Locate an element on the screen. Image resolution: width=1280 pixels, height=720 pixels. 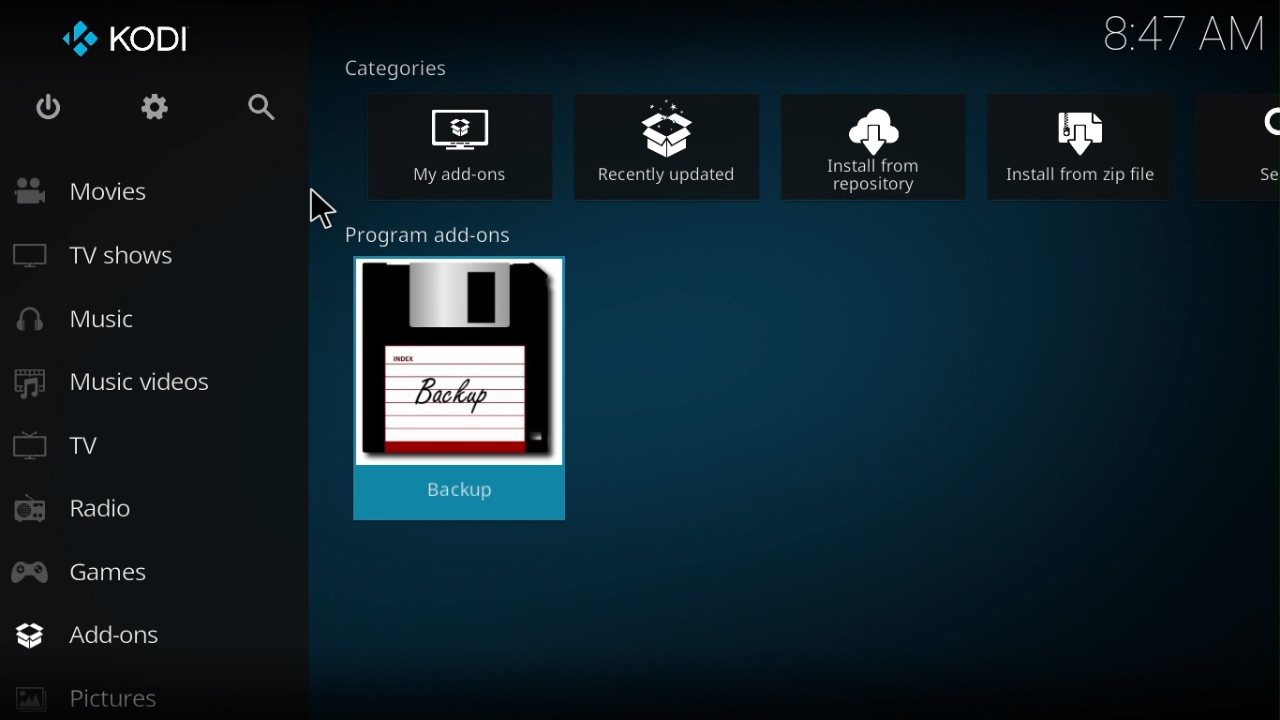
TV shows is located at coordinates (114, 259).